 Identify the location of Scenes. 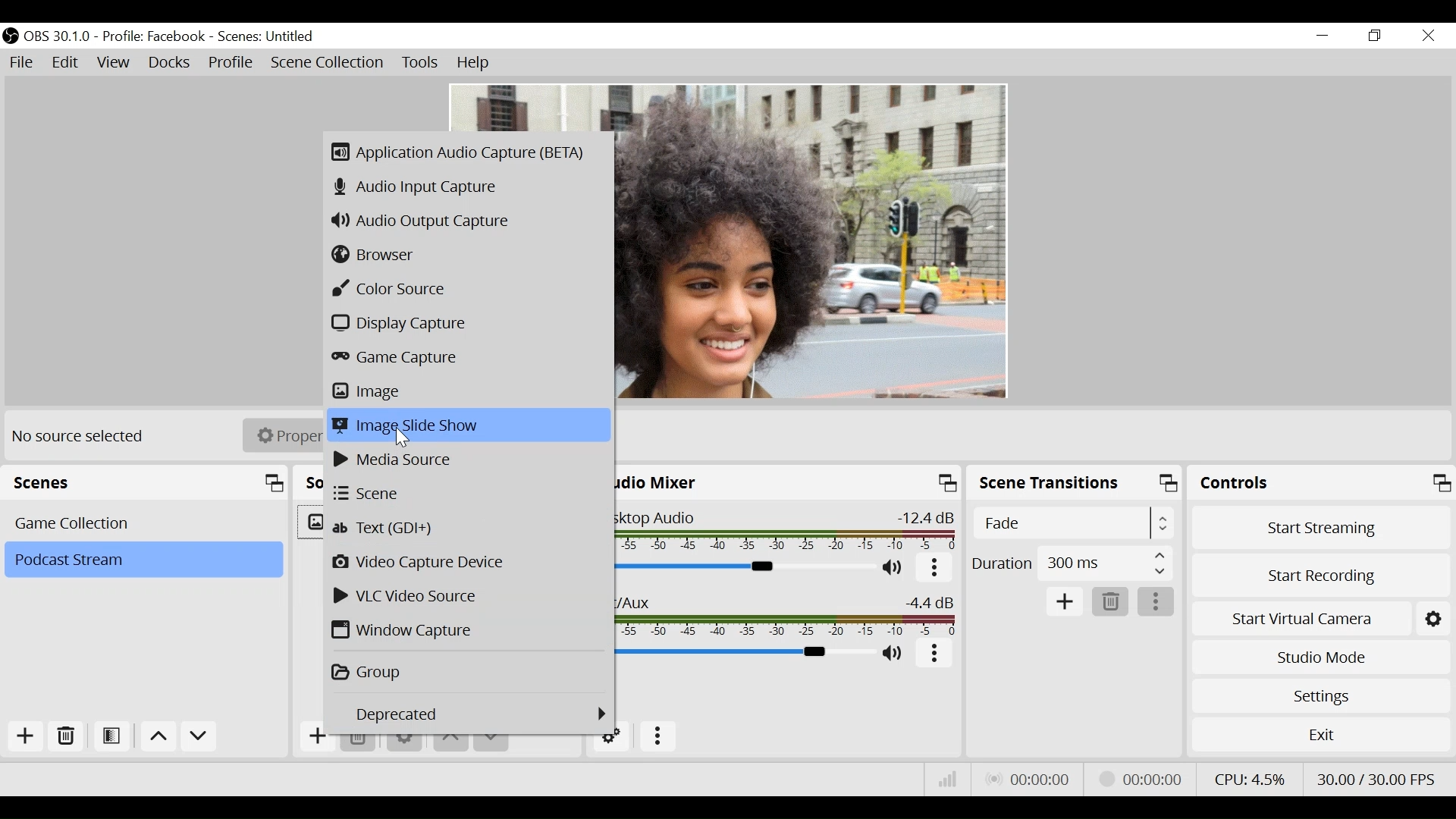
(149, 483).